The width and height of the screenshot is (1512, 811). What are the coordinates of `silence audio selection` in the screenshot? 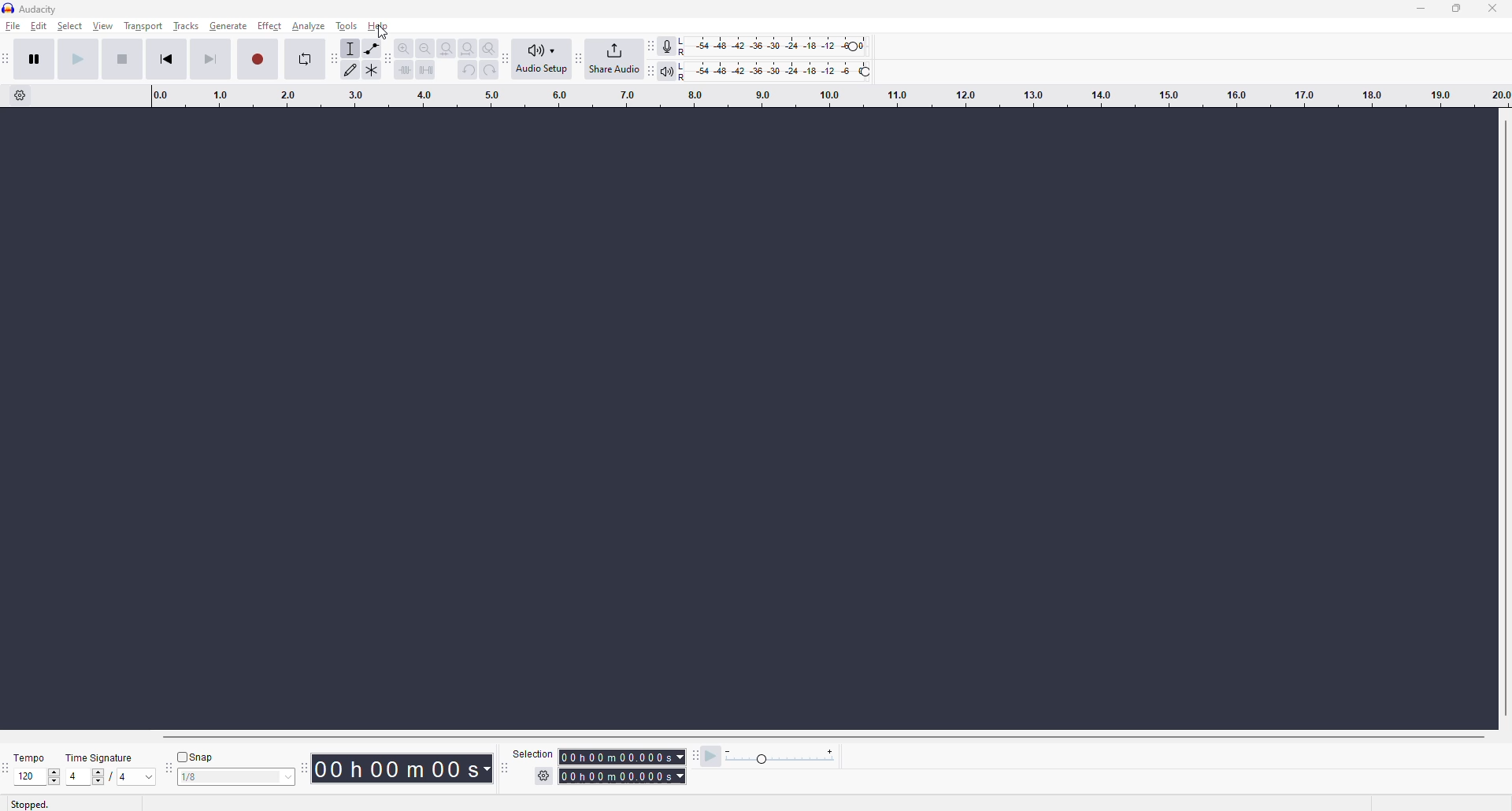 It's located at (425, 69).